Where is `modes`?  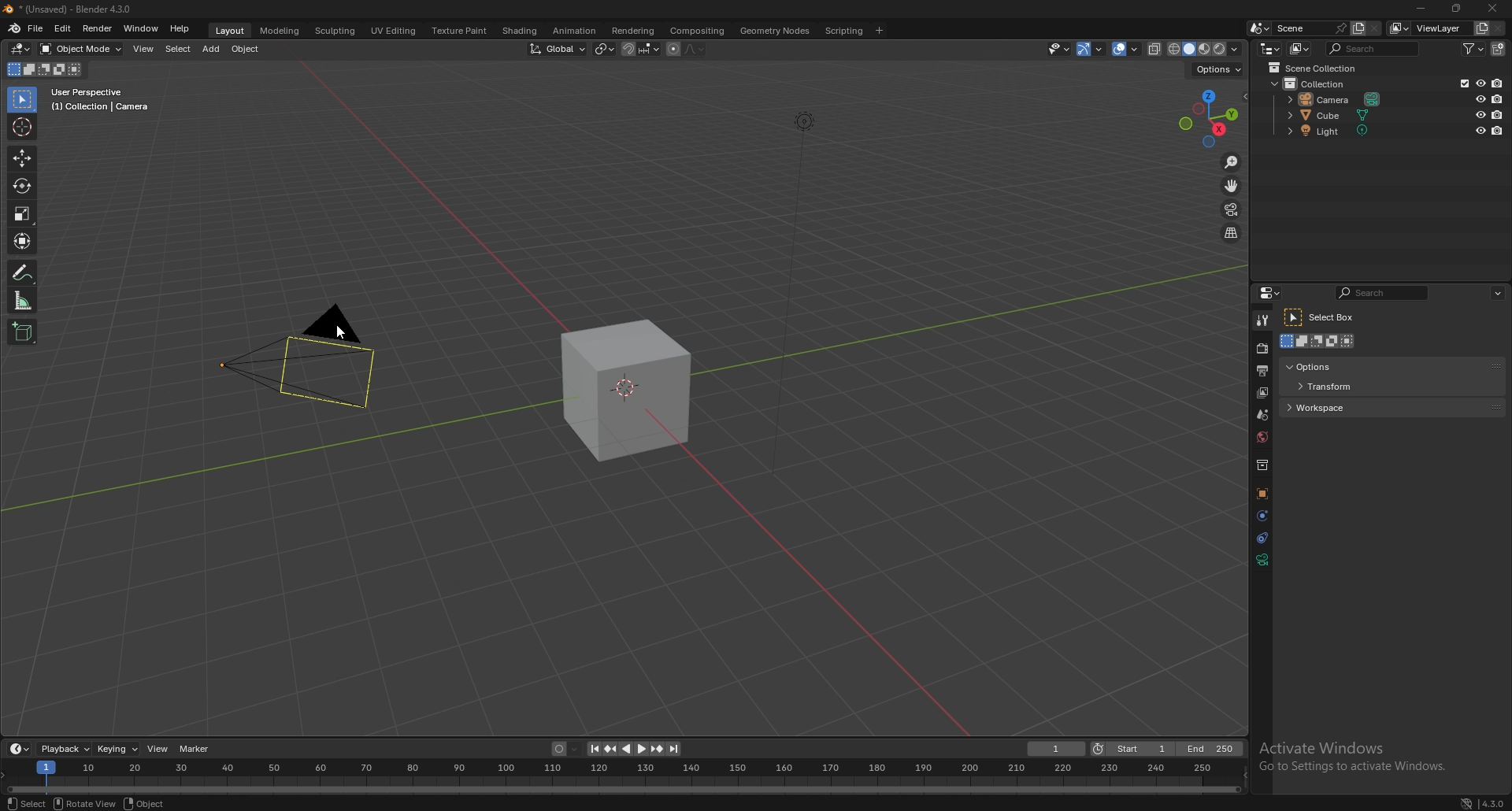
modes is located at coordinates (1320, 341).